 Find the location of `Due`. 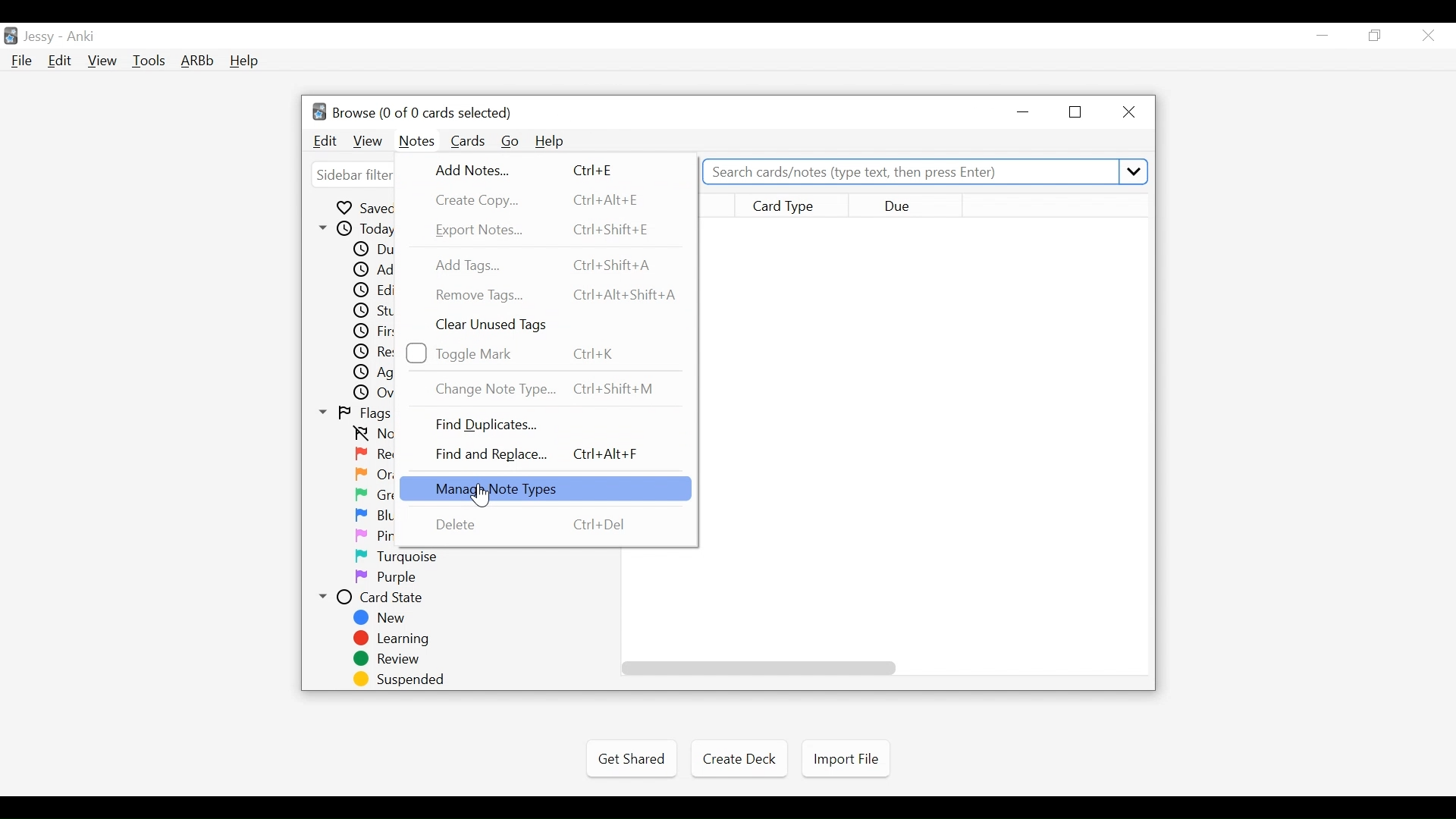

Due is located at coordinates (372, 249).